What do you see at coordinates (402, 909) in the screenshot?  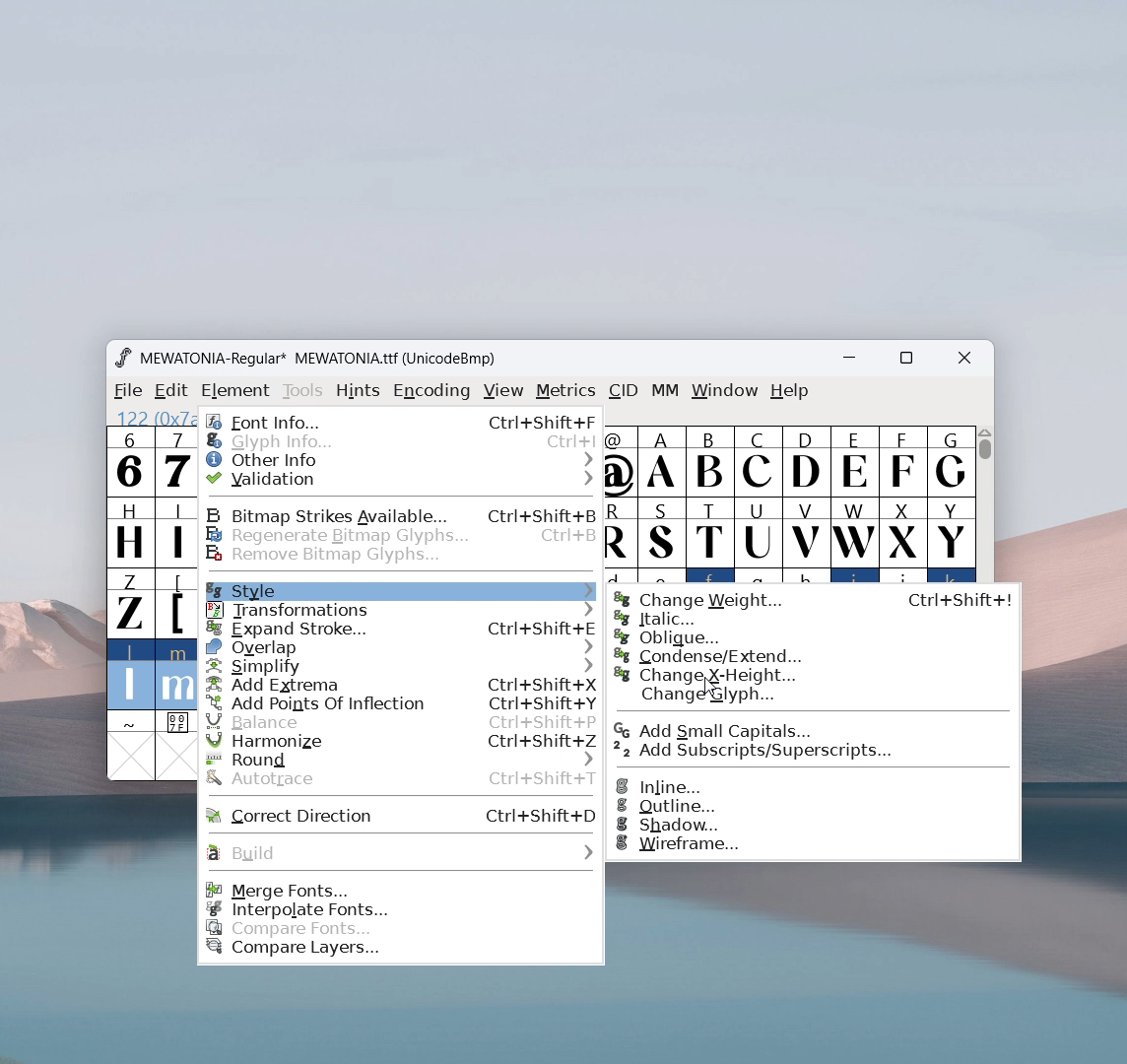 I see `interpolate fonts` at bounding box center [402, 909].